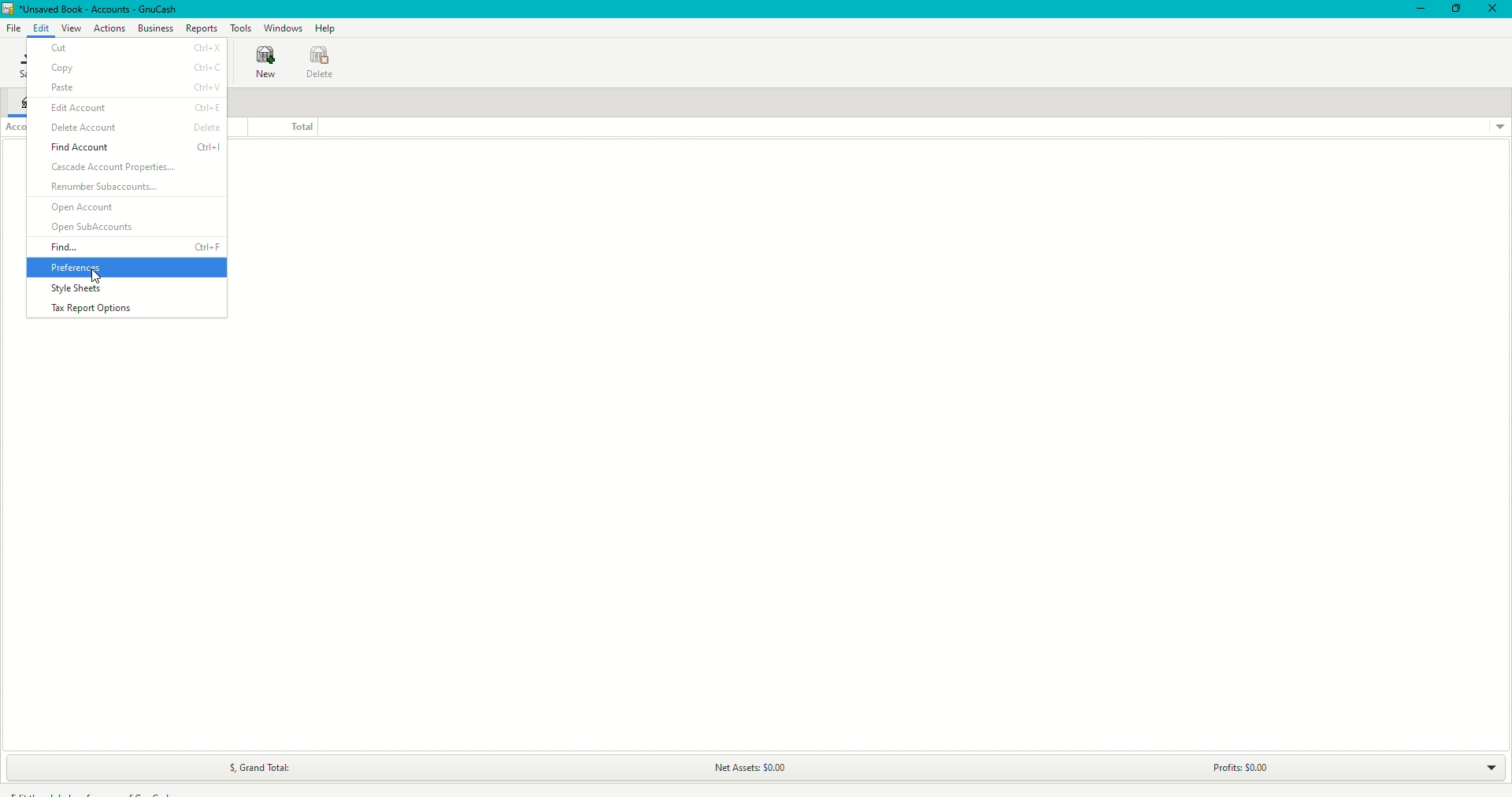 Image resolution: width=1512 pixels, height=797 pixels. I want to click on Restore, so click(1455, 9).